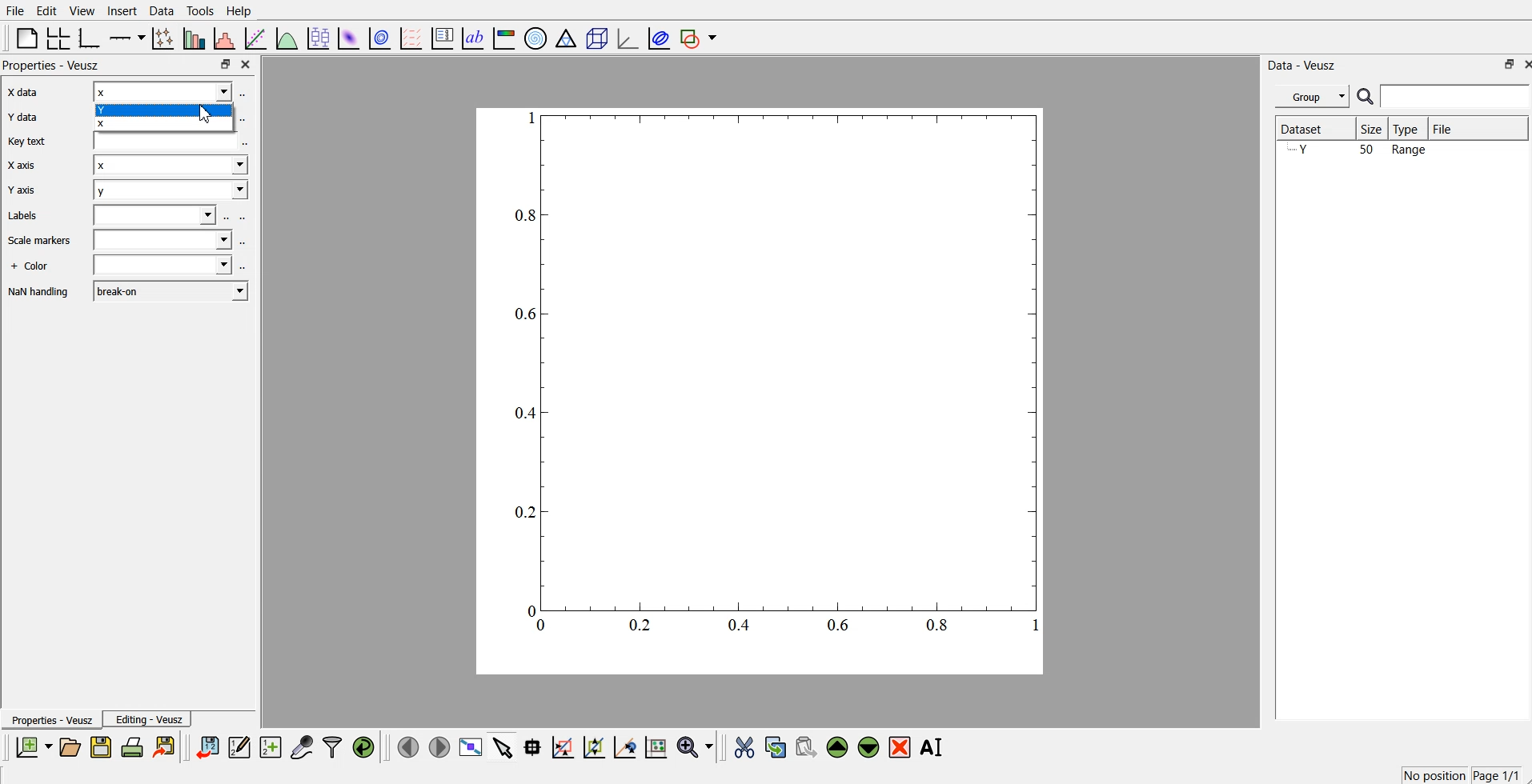 The height and width of the screenshot is (784, 1532). What do you see at coordinates (168, 110) in the screenshot?
I see `y` at bounding box center [168, 110].